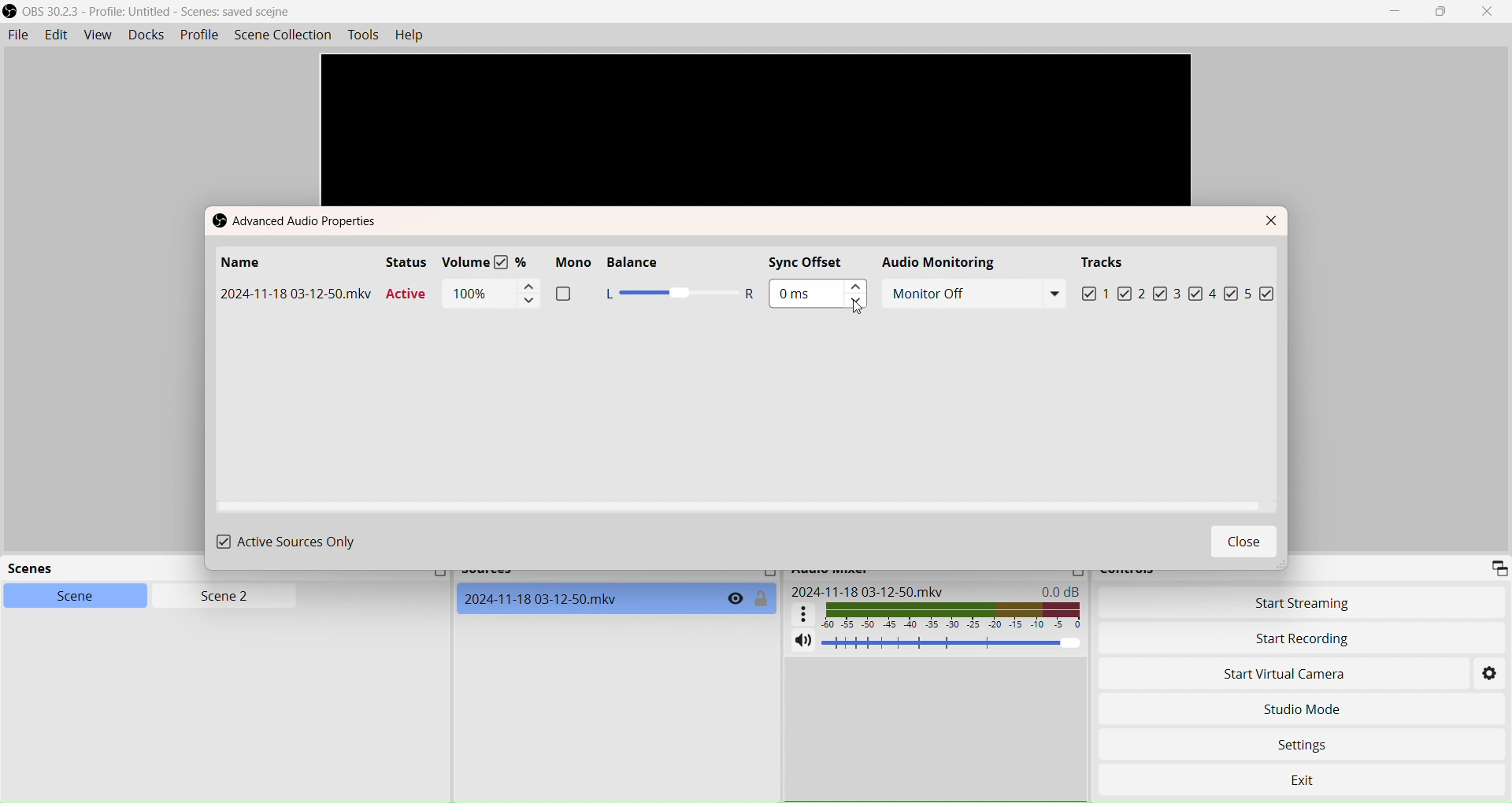  Describe the element at coordinates (762, 599) in the screenshot. I see `Toggle Lock` at that location.